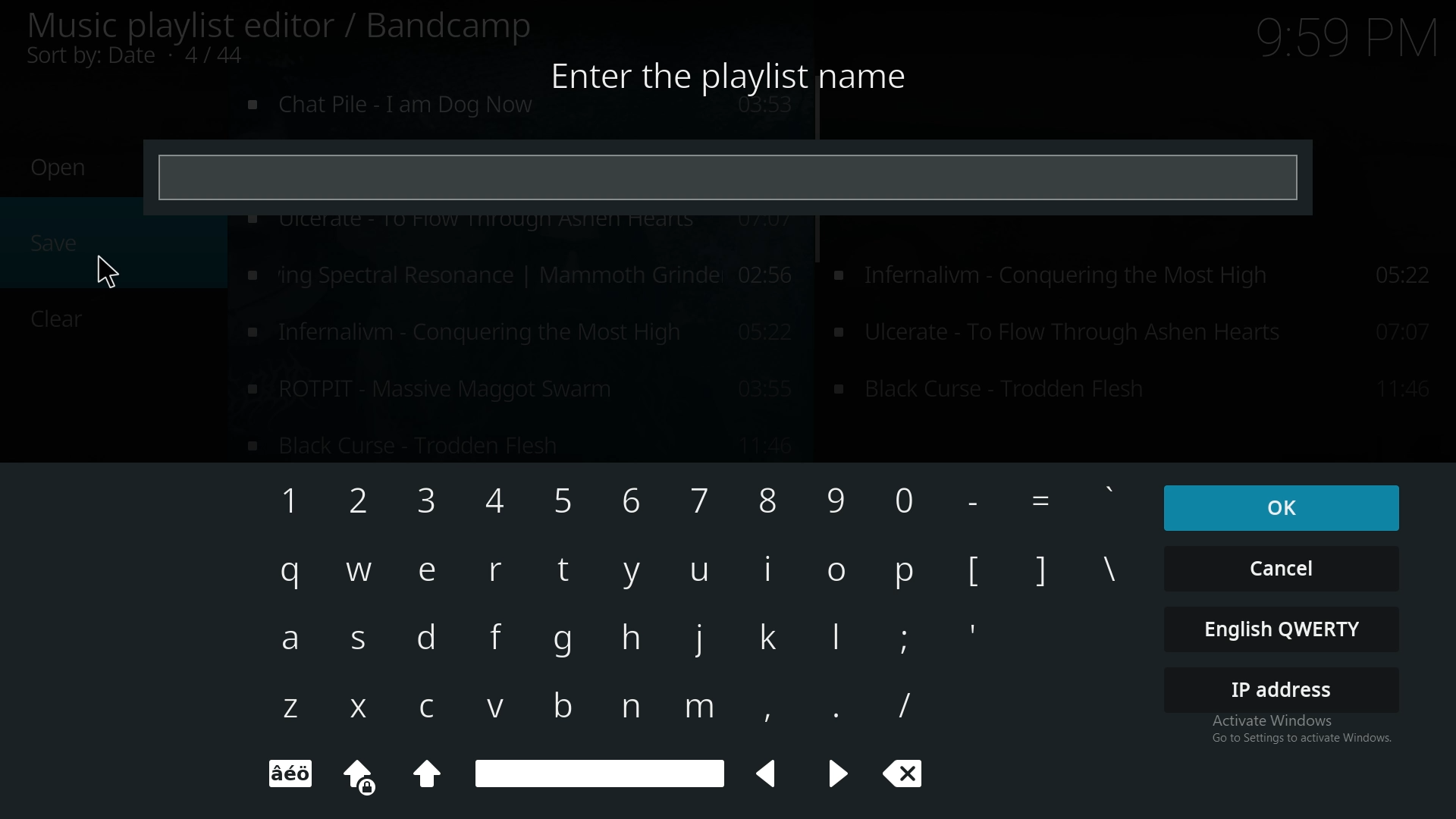  Describe the element at coordinates (444, 711) in the screenshot. I see `keyboard input` at that location.